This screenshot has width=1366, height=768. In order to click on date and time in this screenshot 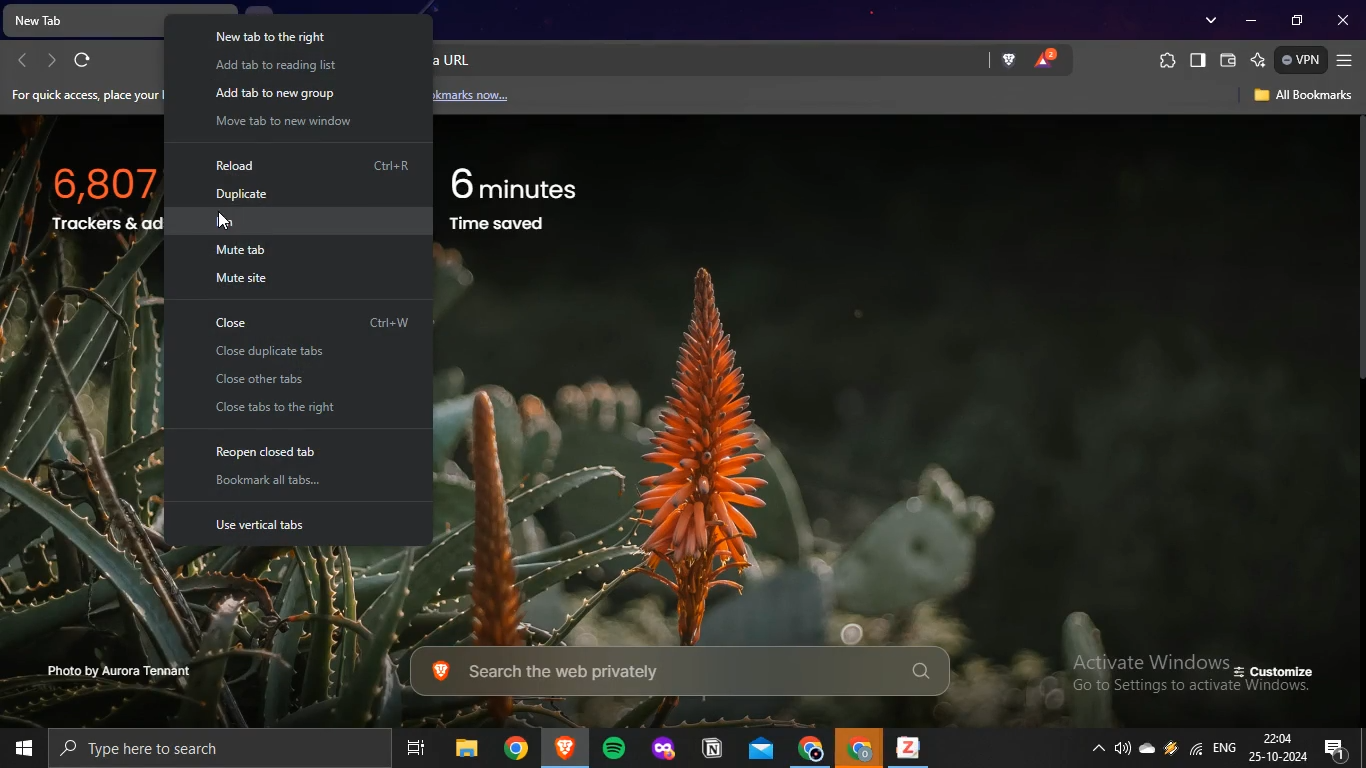, I will do `click(1282, 745)`.